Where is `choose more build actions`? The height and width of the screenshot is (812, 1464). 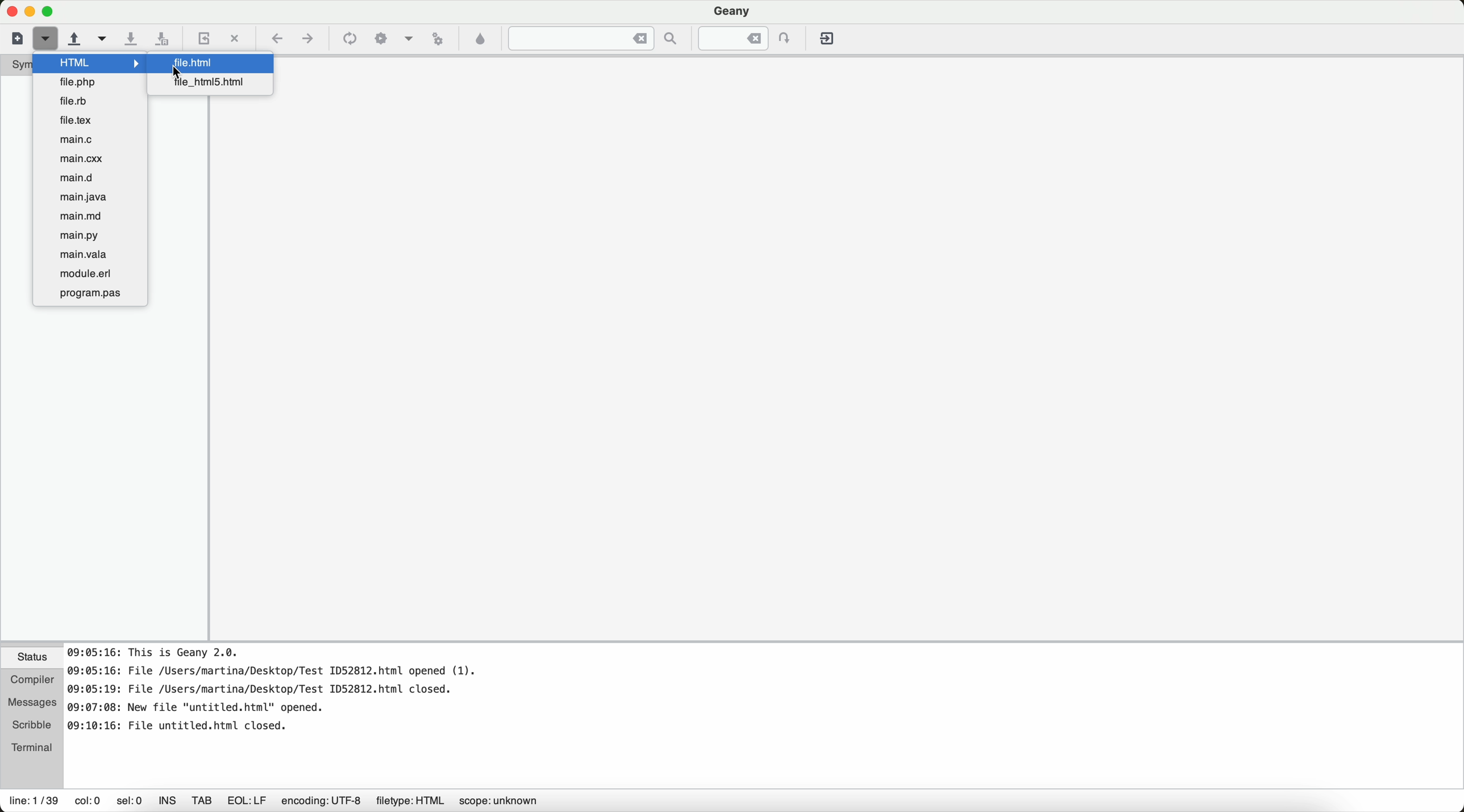 choose more build actions is located at coordinates (410, 41).